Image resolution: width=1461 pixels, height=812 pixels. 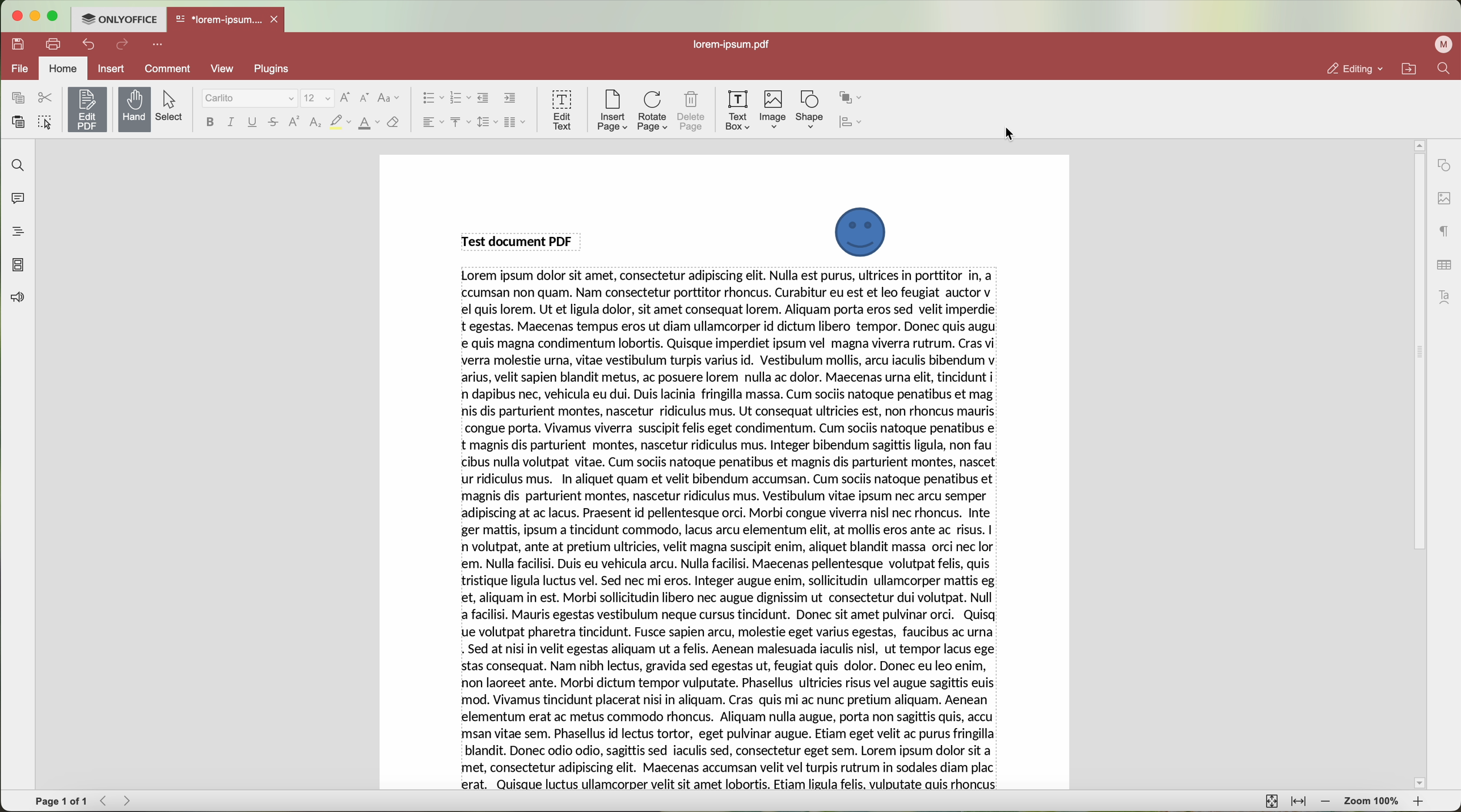 What do you see at coordinates (737, 45) in the screenshot?
I see `lorem-ipsum.pdf` at bounding box center [737, 45].